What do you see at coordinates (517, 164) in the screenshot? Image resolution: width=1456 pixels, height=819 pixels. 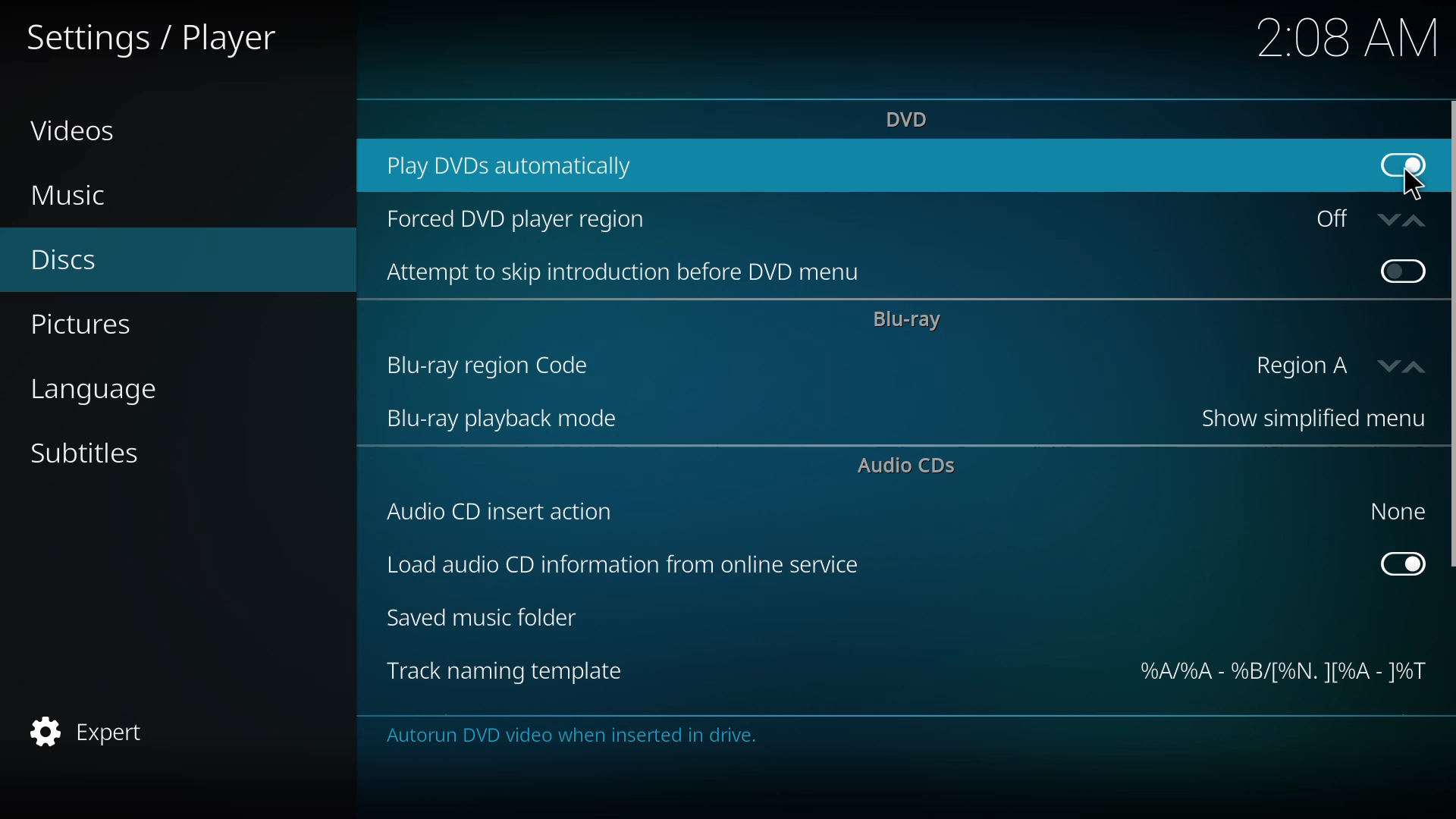 I see `play dvds automatically` at bounding box center [517, 164].